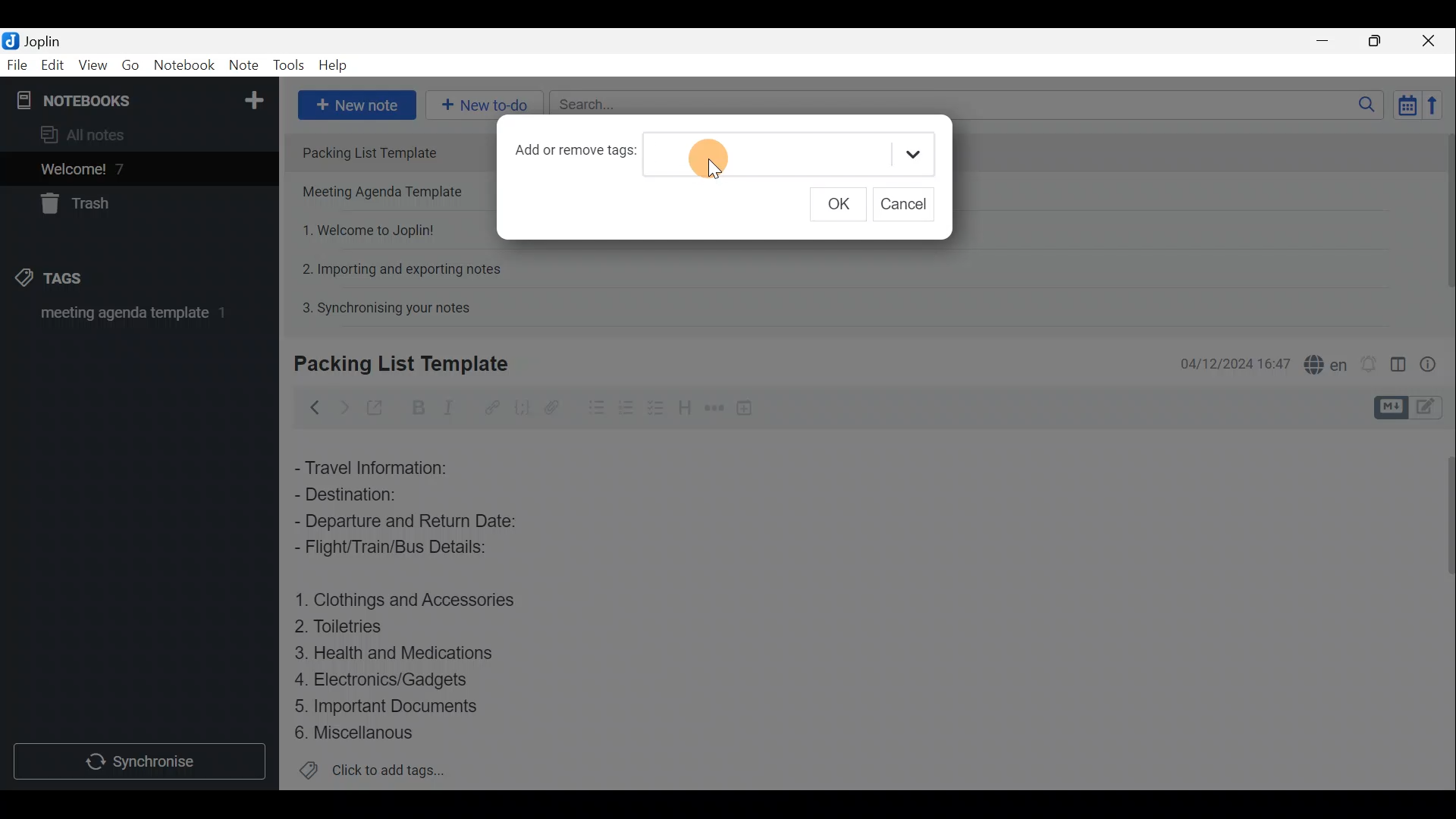 This screenshot has height=819, width=1456. Describe the element at coordinates (335, 67) in the screenshot. I see `Help` at that location.